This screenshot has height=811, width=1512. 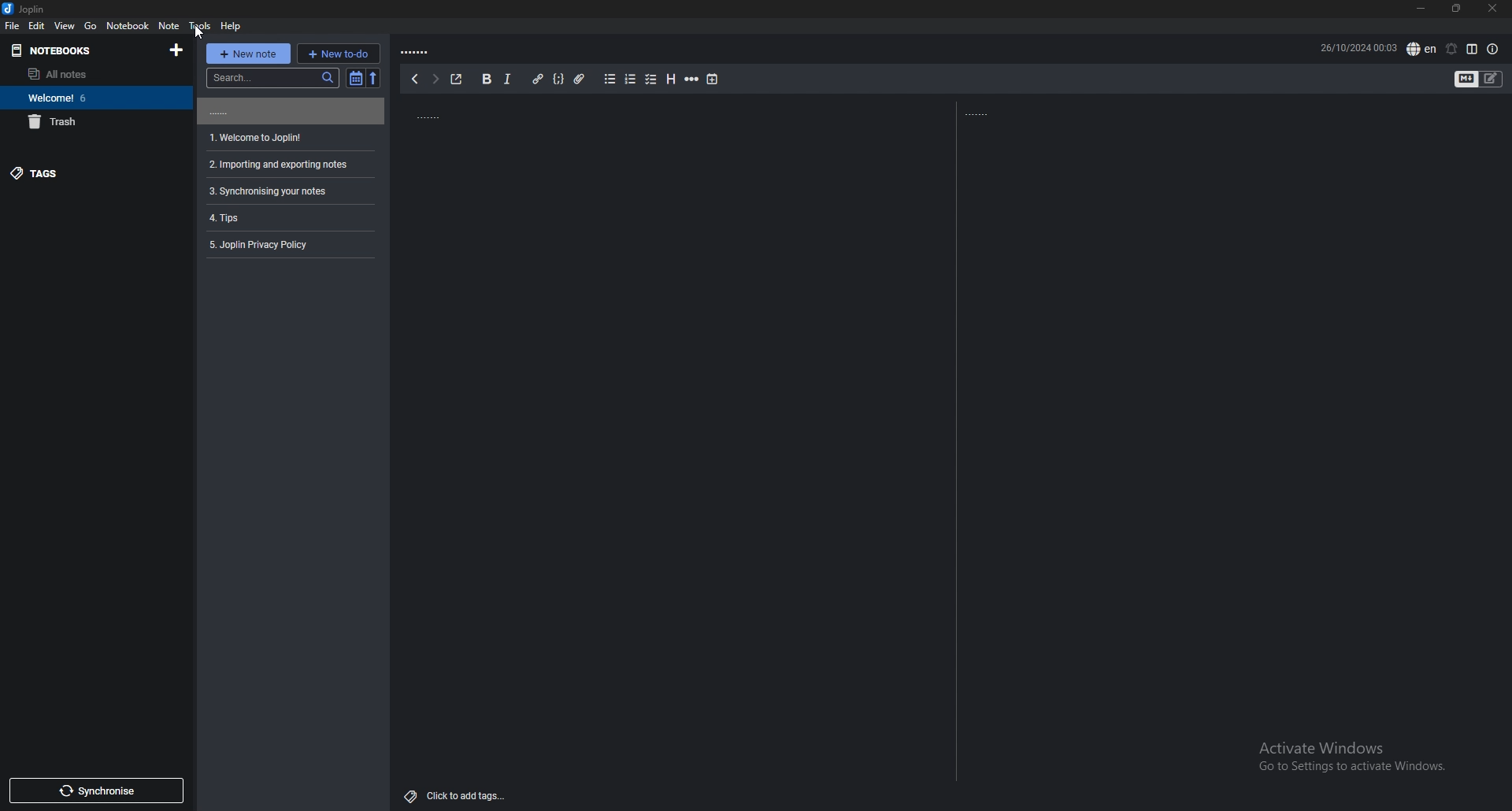 What do you see at coordinates (712, 80) in the screenshot?
I see `insert time` at bounding box center [712, 80].